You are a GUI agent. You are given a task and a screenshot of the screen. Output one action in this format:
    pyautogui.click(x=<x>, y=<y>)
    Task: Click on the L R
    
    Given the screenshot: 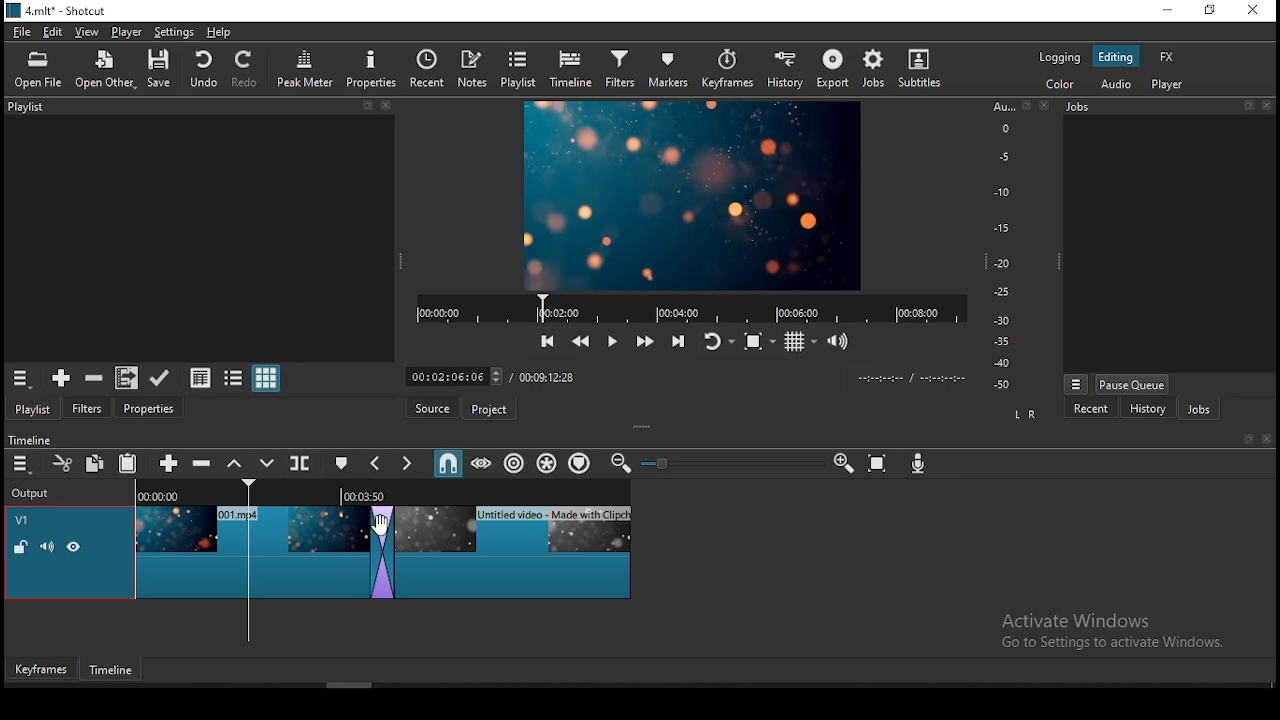 What is the action you would take?
    pyautogui.click(x=1025, y=412)
    